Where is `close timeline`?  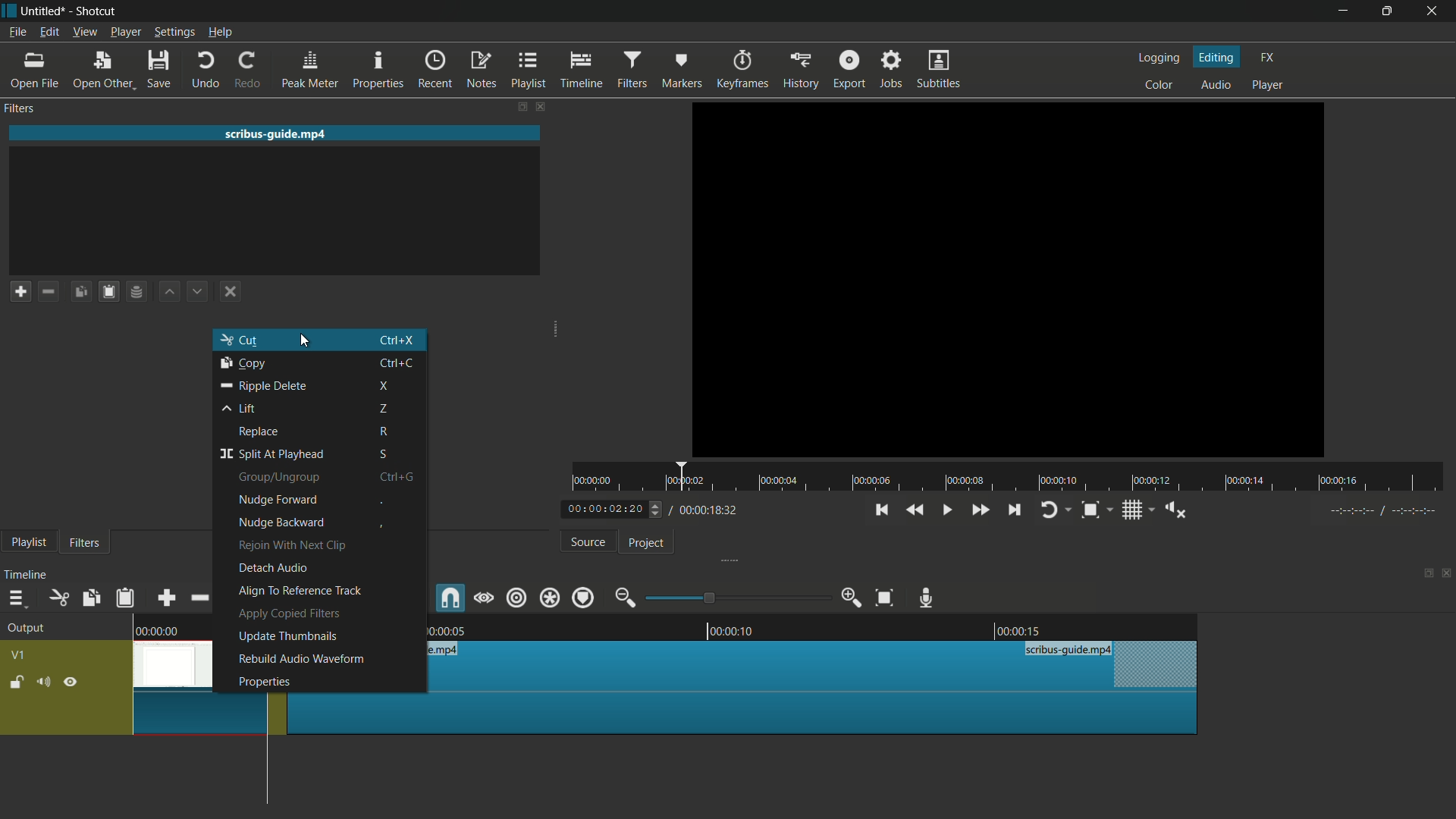 close timeline is located at coordinates (1447, 575).